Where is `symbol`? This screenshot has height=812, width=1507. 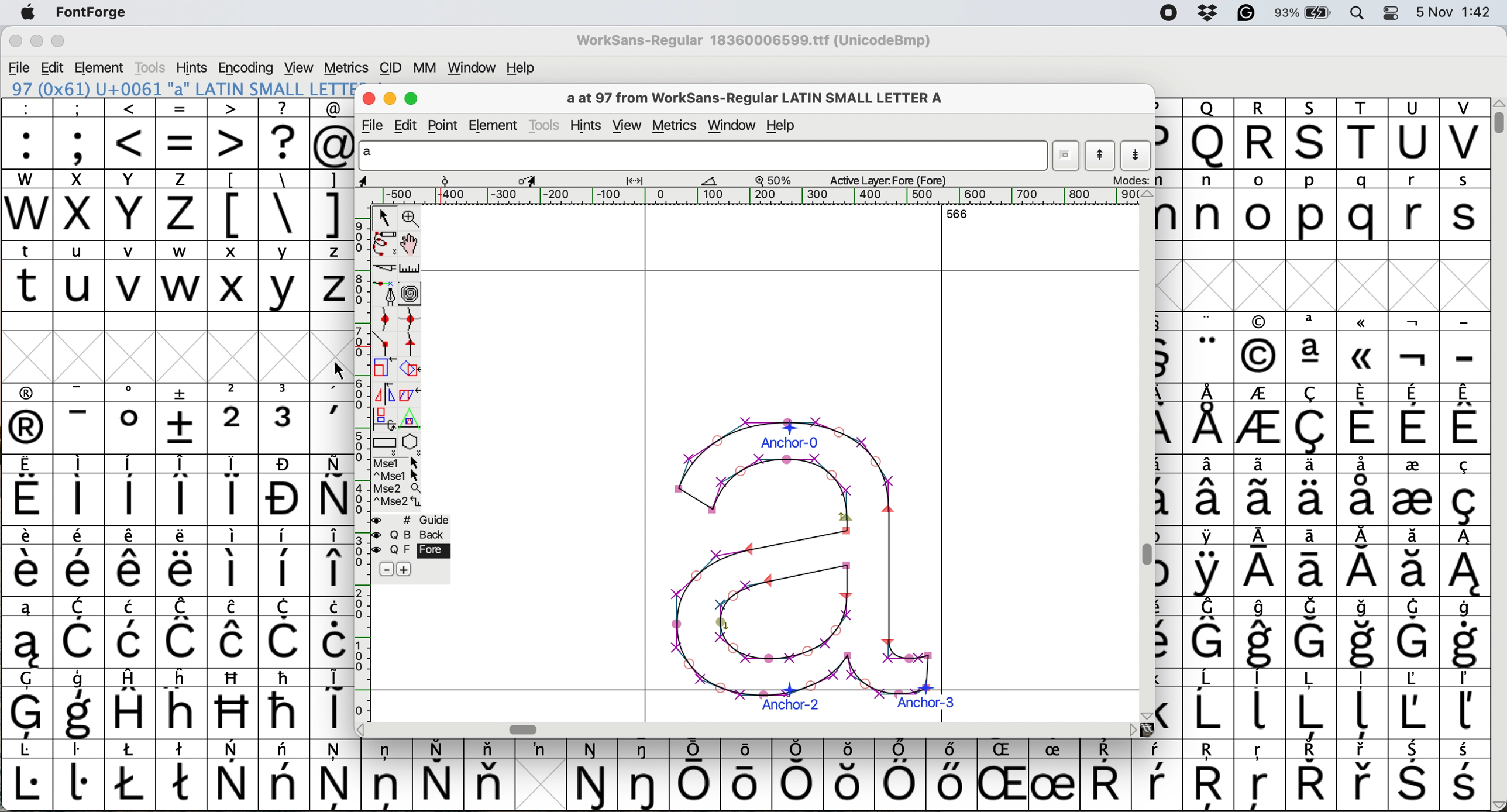 symbol is located at coordinates (387, 773).